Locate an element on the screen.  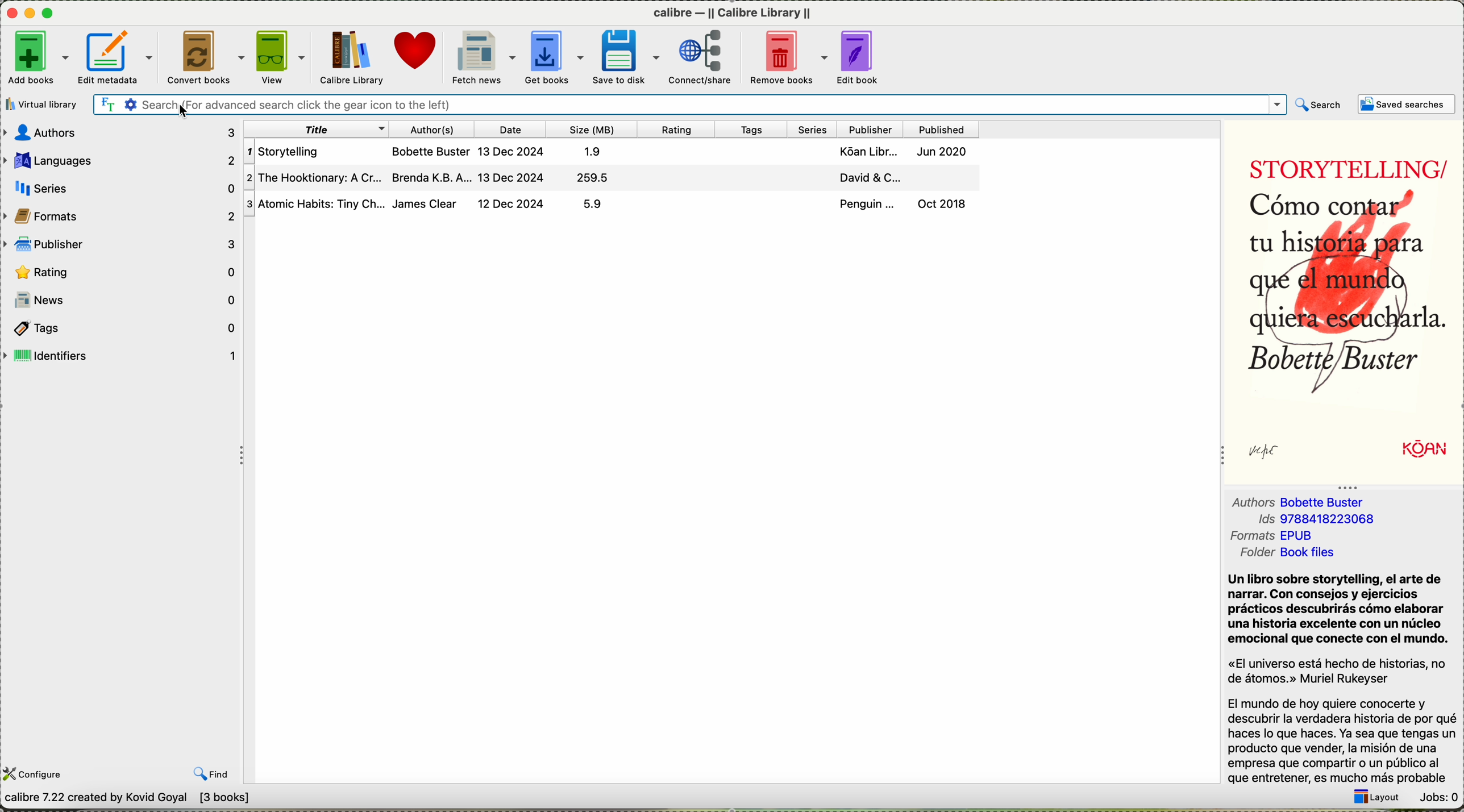
13 Dec 2024 is located at coordinates (514, 178).